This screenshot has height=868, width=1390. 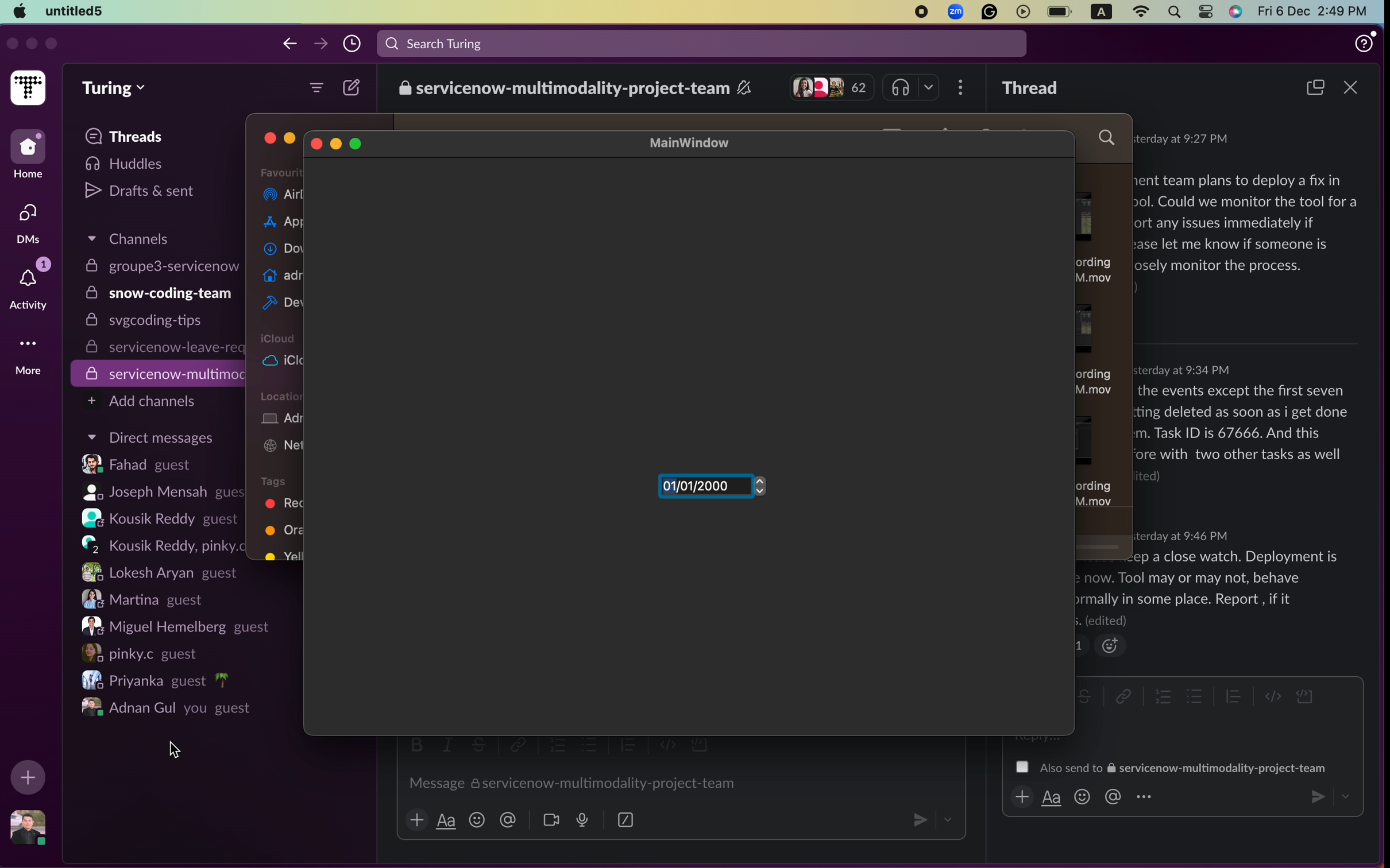 I want to click on wifi, so click(x=1140, y=10).